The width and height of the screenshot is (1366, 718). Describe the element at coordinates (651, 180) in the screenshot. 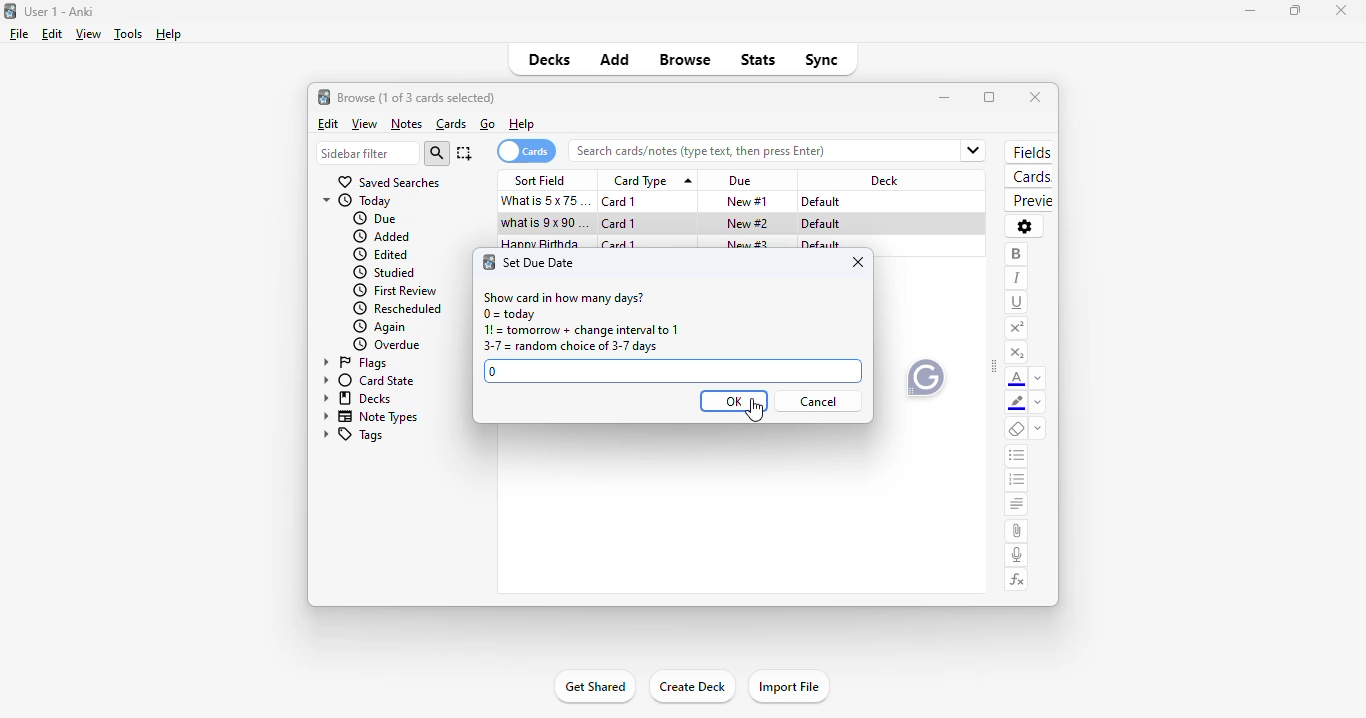

I see `card type` at that location.